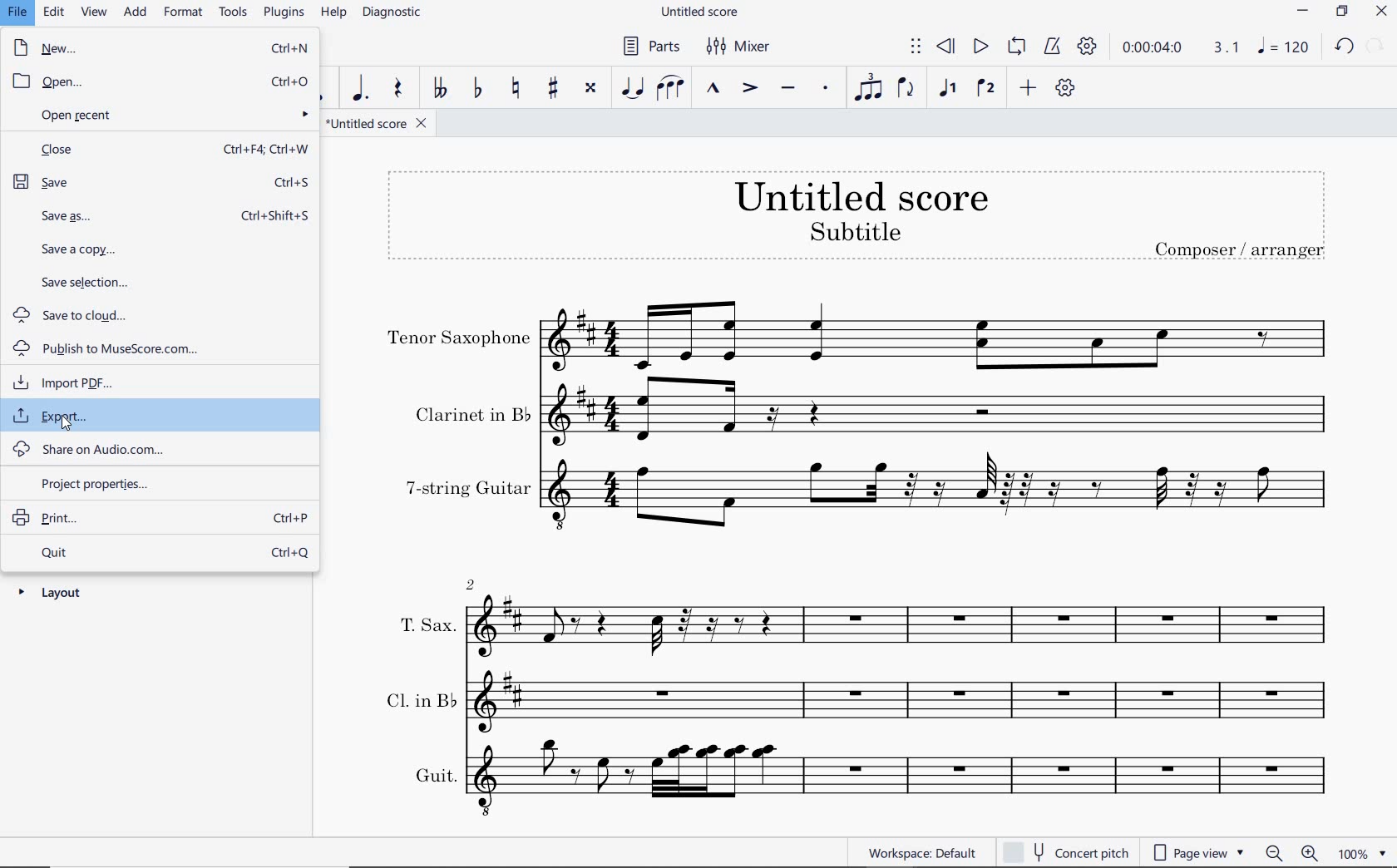  What do you see at coordinates (1030, 87) in the screenshot?
I see `ADD` at bounding box center [1030, 87].